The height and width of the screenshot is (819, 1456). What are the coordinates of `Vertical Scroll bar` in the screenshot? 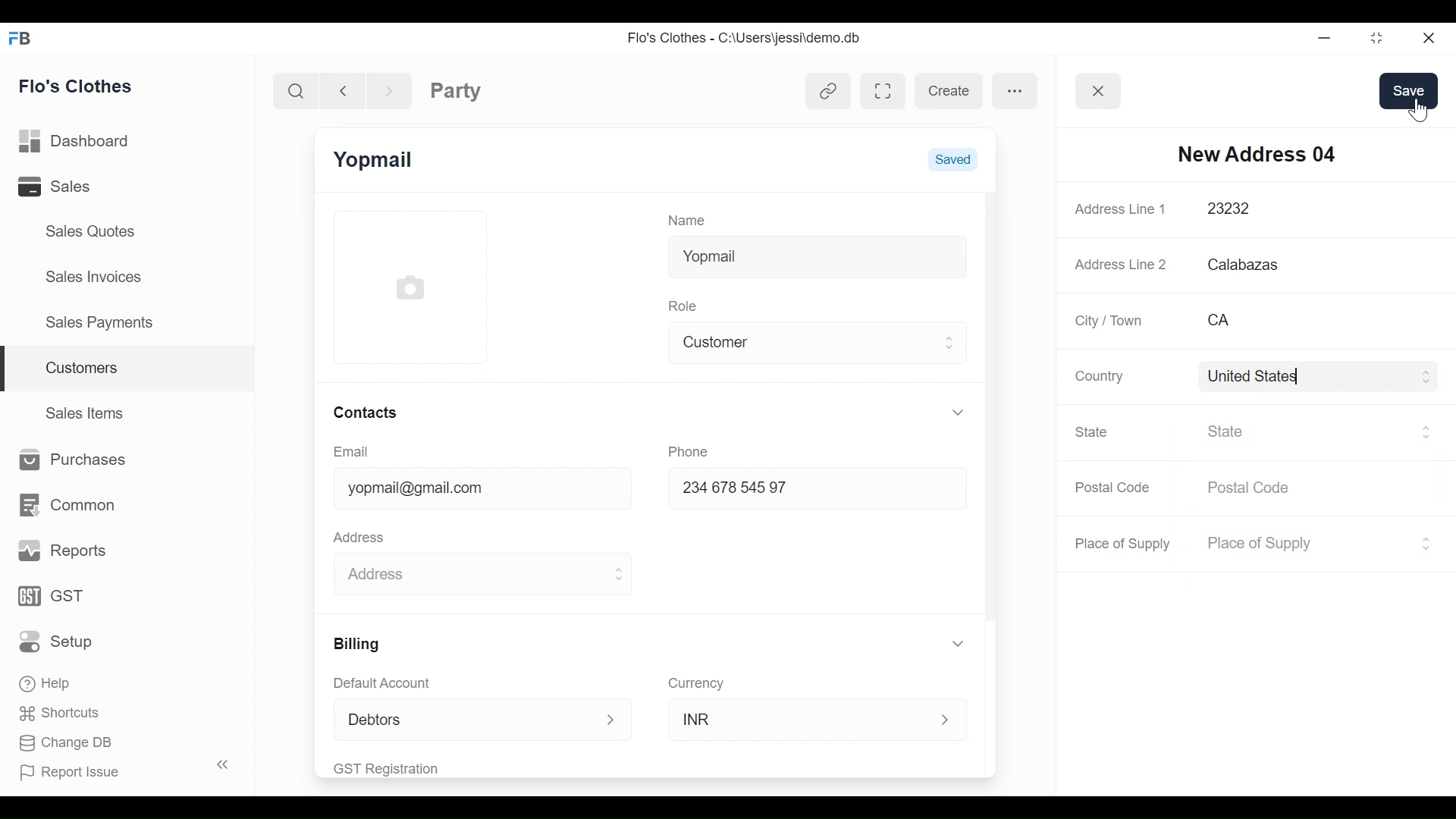 It's located at (990, 407).